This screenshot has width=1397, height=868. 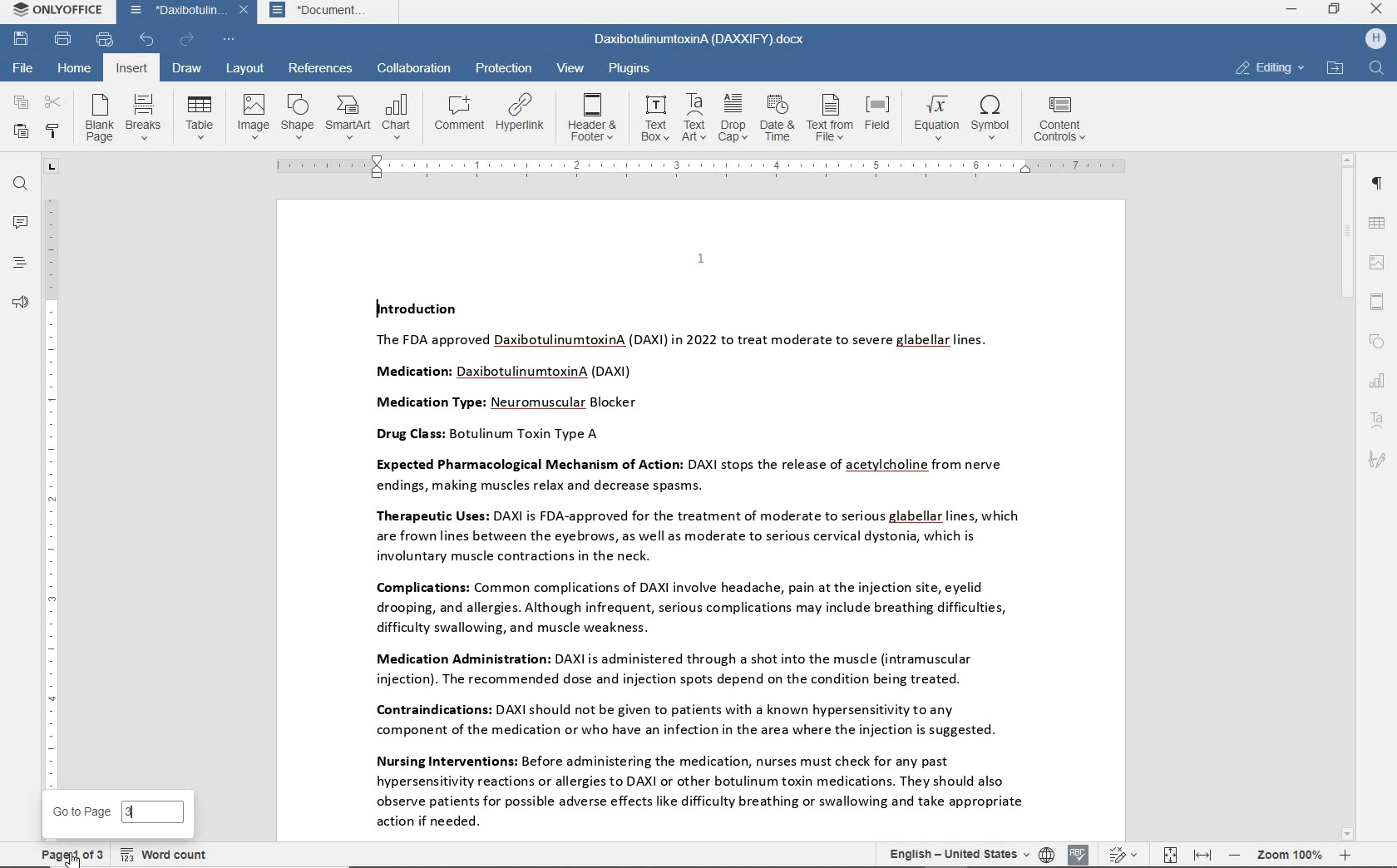 What do you see at coordinates (143, 116) in the screenshot?
I see `breaks` at bounding box center [143, 116].